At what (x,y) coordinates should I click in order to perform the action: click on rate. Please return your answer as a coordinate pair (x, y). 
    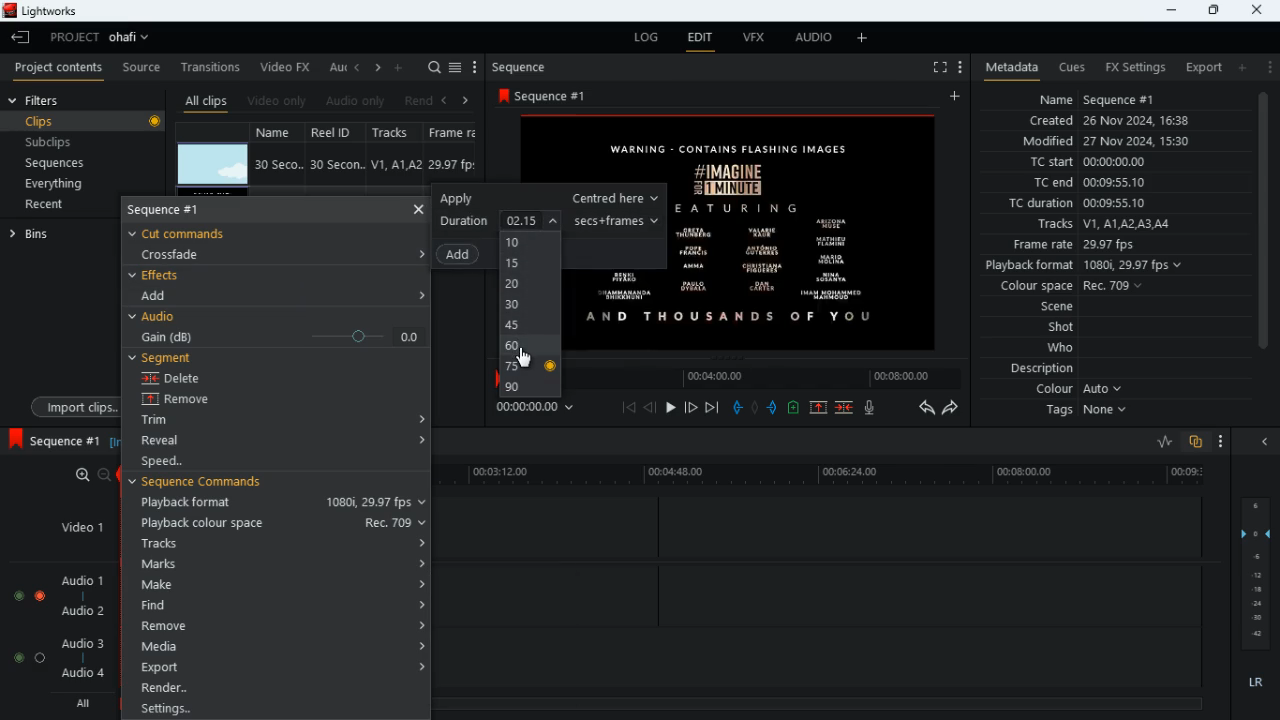
    Looking at the image, I should click on (1158, 442).